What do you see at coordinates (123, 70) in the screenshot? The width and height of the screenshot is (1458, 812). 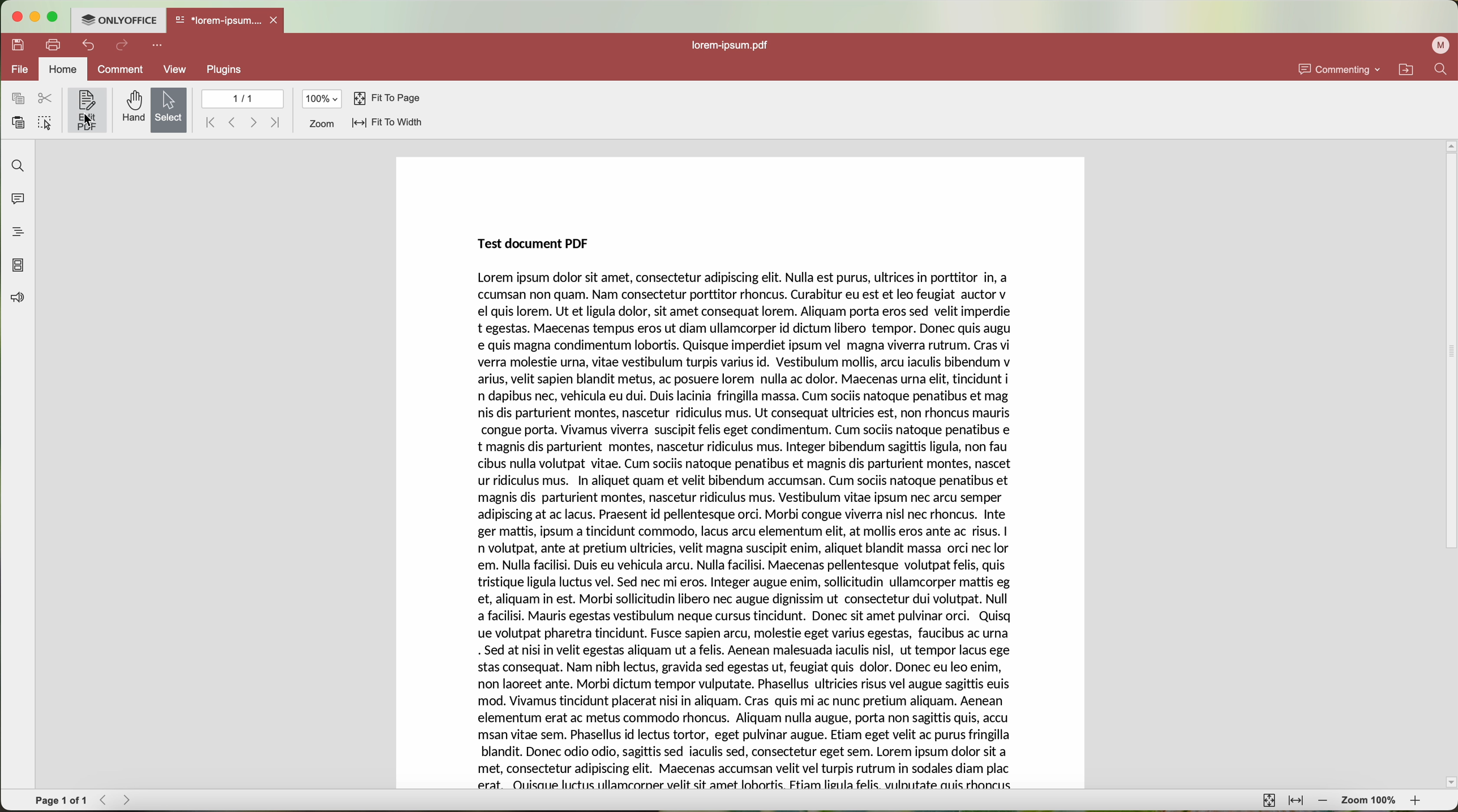 I see `comment` at bounding box center [123, 70].